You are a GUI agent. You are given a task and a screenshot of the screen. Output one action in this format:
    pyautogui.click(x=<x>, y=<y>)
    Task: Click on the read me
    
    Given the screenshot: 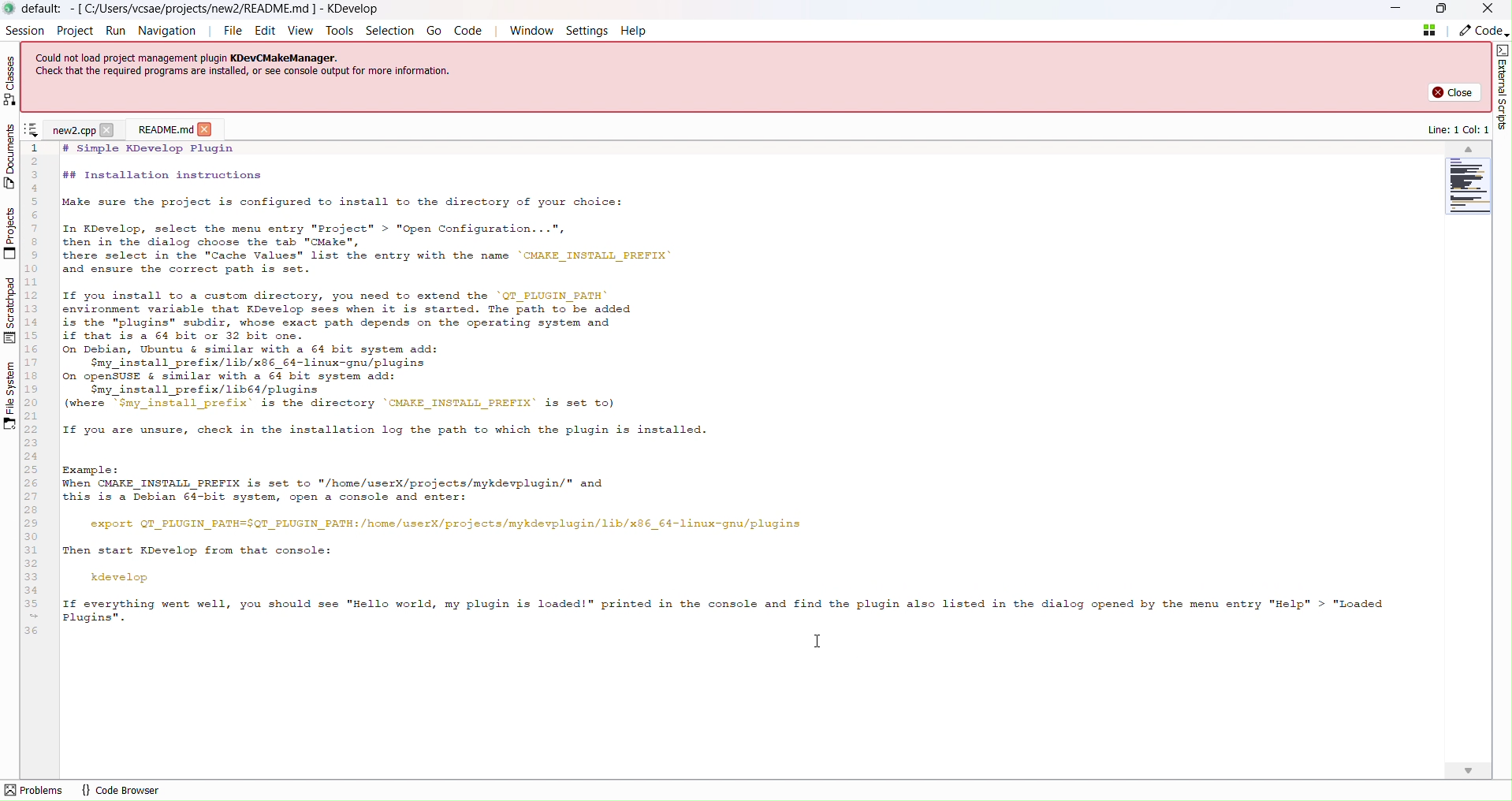 What is the action you would take?
    pyautogui.click(x=166, y=129)
    